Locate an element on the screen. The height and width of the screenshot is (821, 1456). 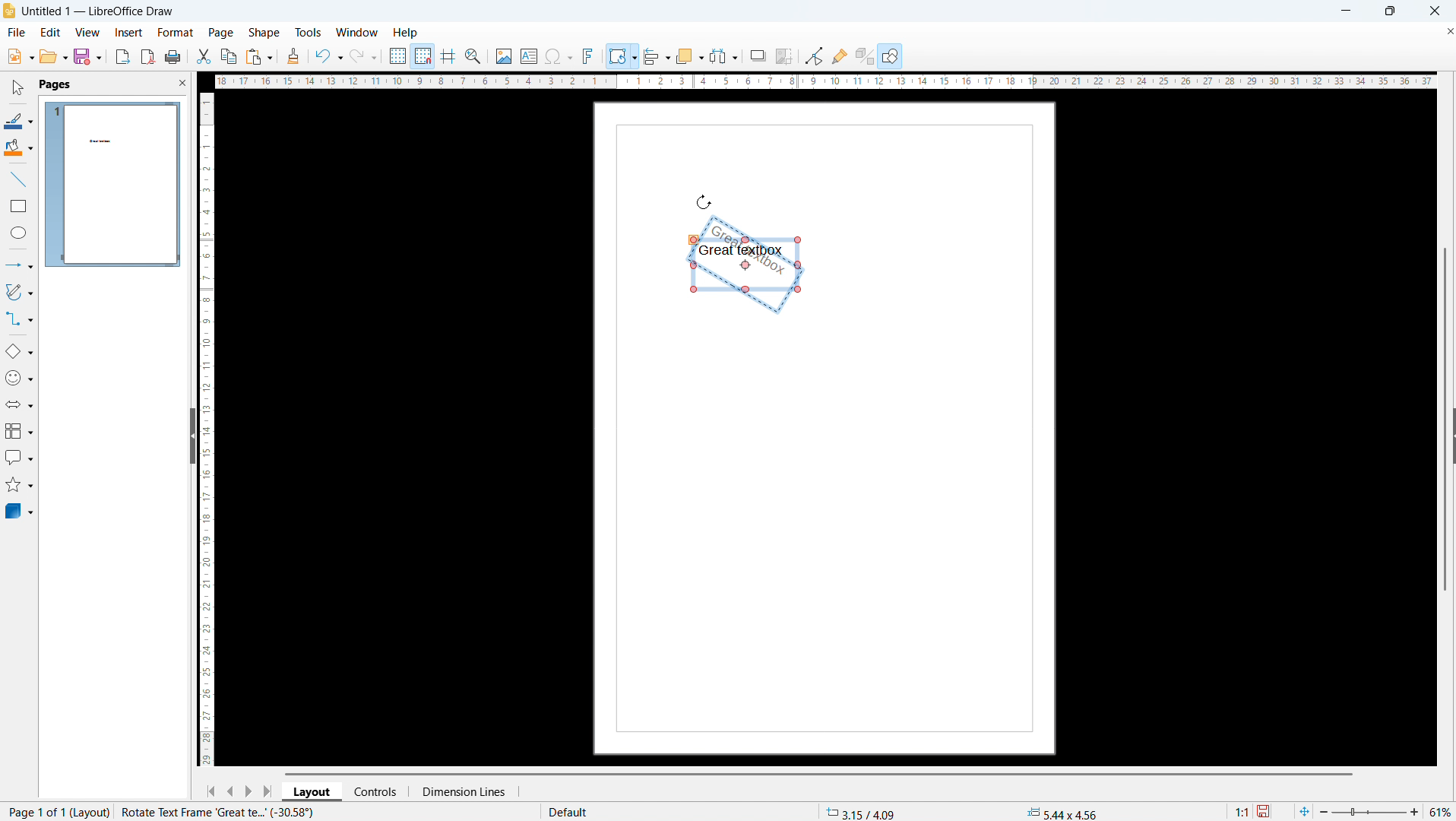
save  is located at coordinates (1265, 810).